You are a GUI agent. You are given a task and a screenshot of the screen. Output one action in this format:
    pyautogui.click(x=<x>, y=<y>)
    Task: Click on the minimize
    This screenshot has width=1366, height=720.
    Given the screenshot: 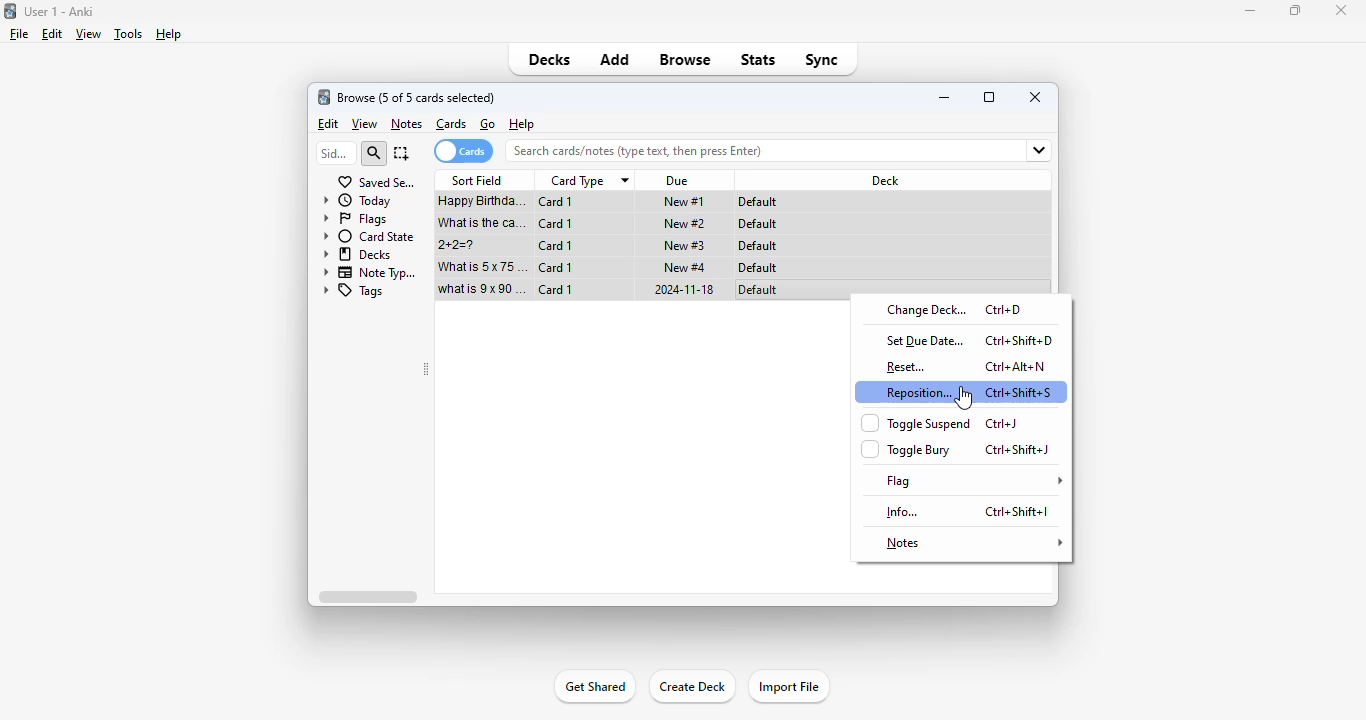 What is the action you would take?
    pyautogui.click(x=1249, y=11)
    